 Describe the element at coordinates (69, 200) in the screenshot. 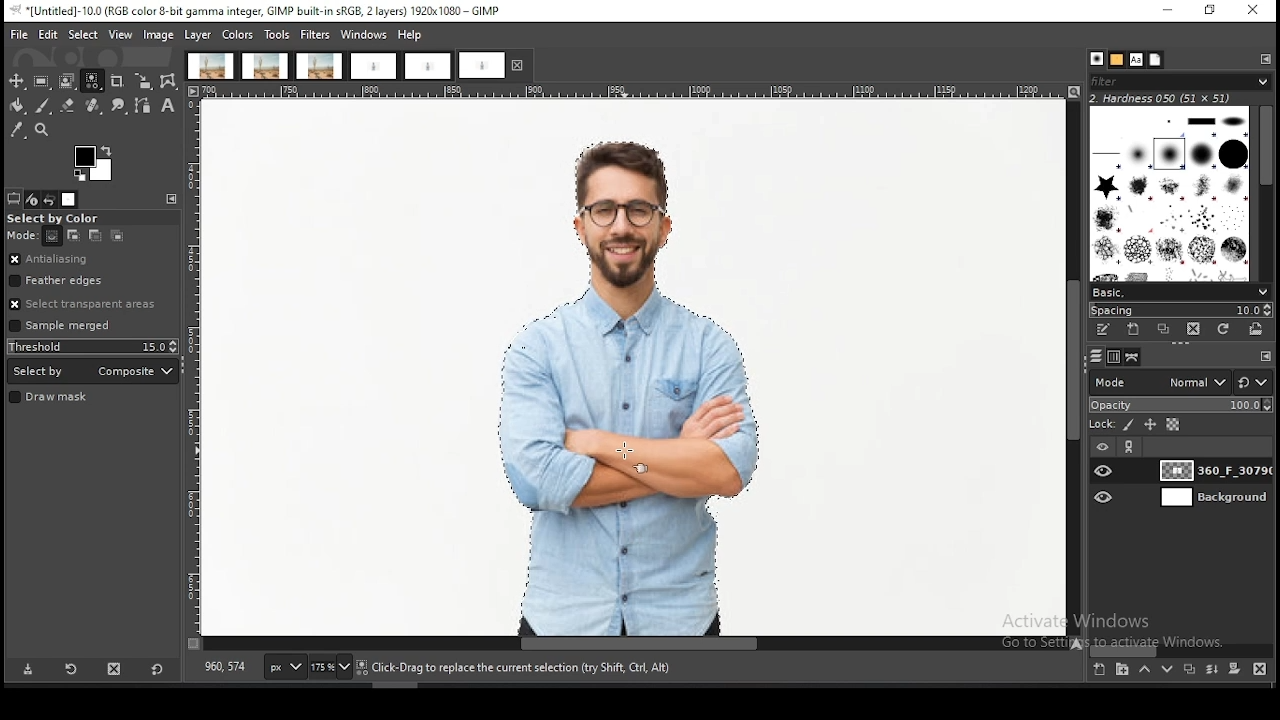

I see `images` at that location.